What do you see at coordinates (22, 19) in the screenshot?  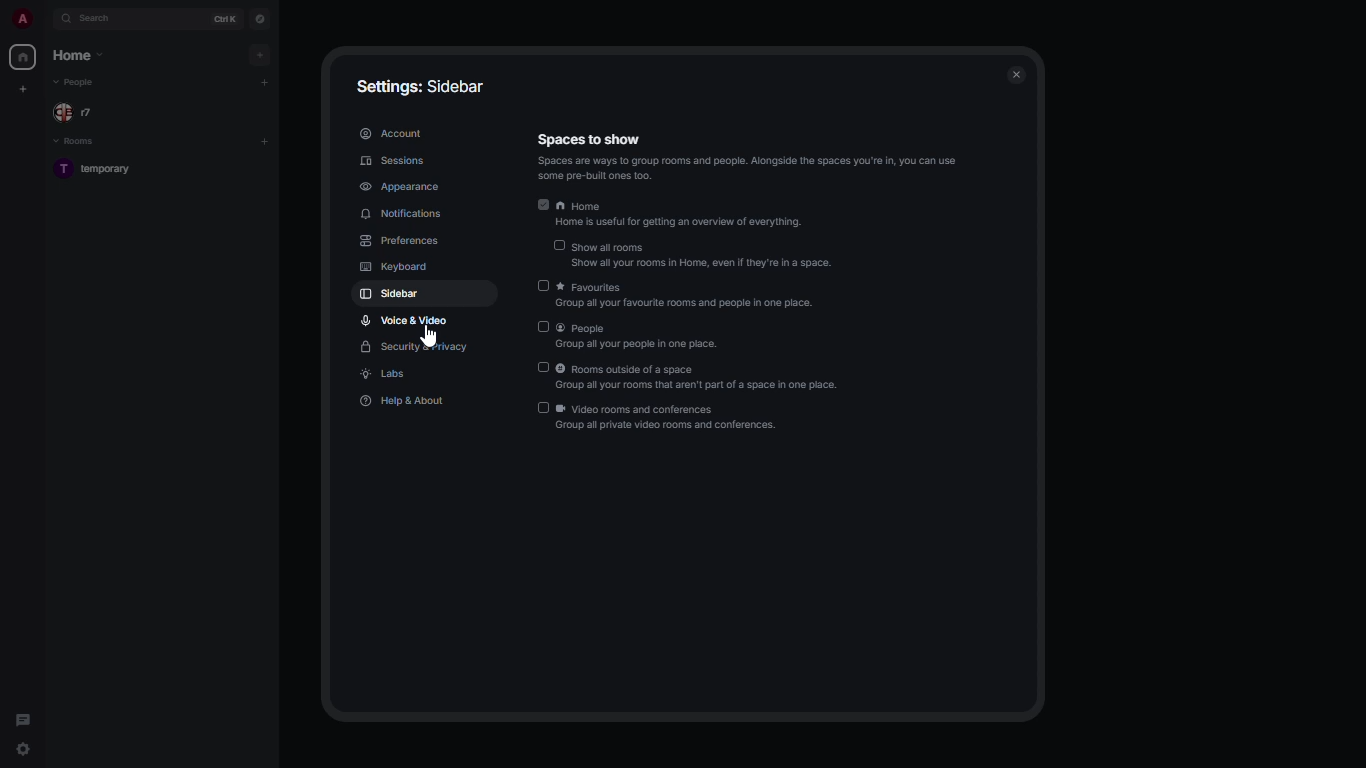 I see `profile` at bounding box center [22, 19].